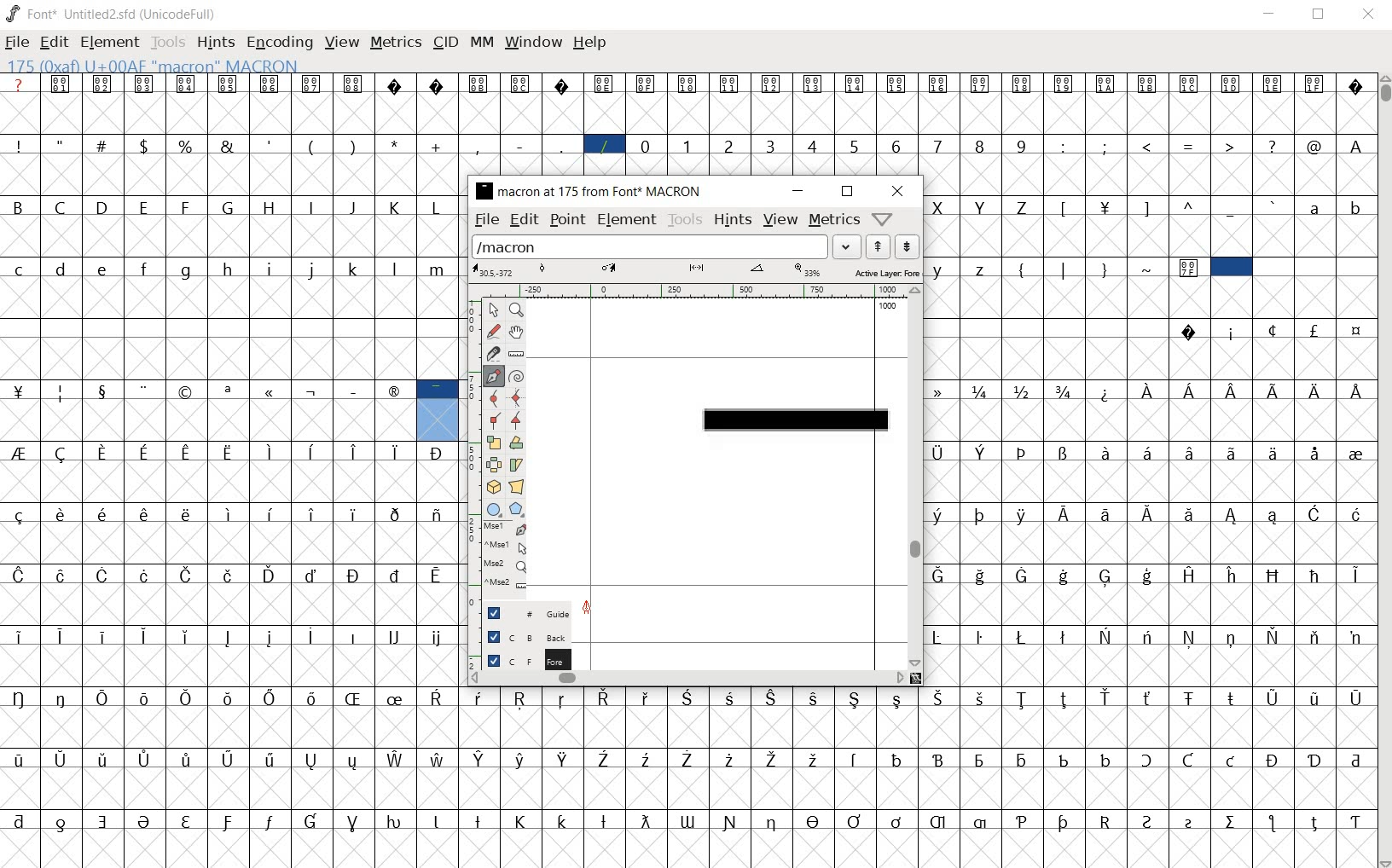 The width and height of the screenshot is (1392, 868). What do you see at coordinates (146, 146) in the screenshot?
I see `$` at bounding box center [146, 146].